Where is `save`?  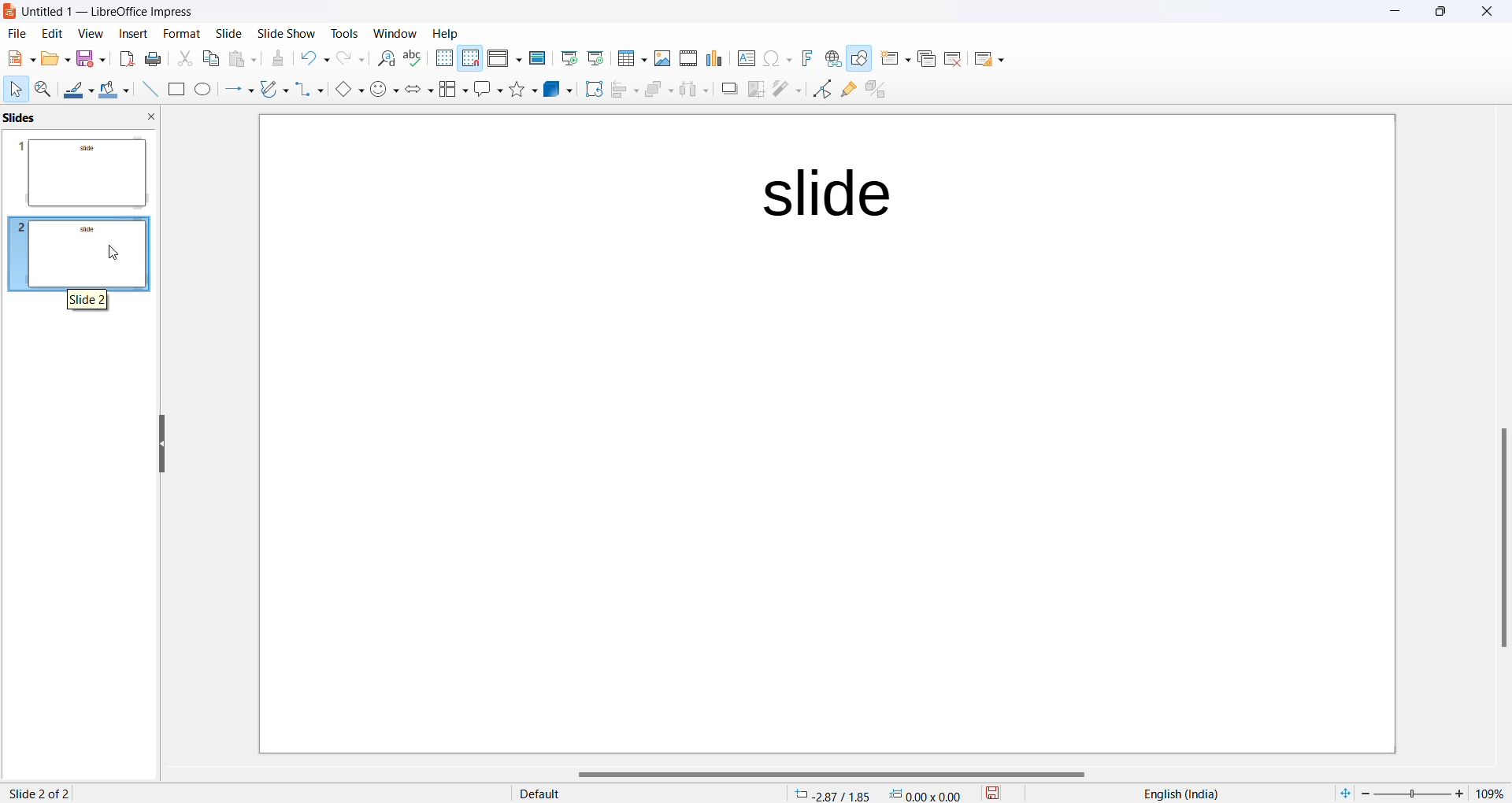
save is located at coordinates (992, 794).